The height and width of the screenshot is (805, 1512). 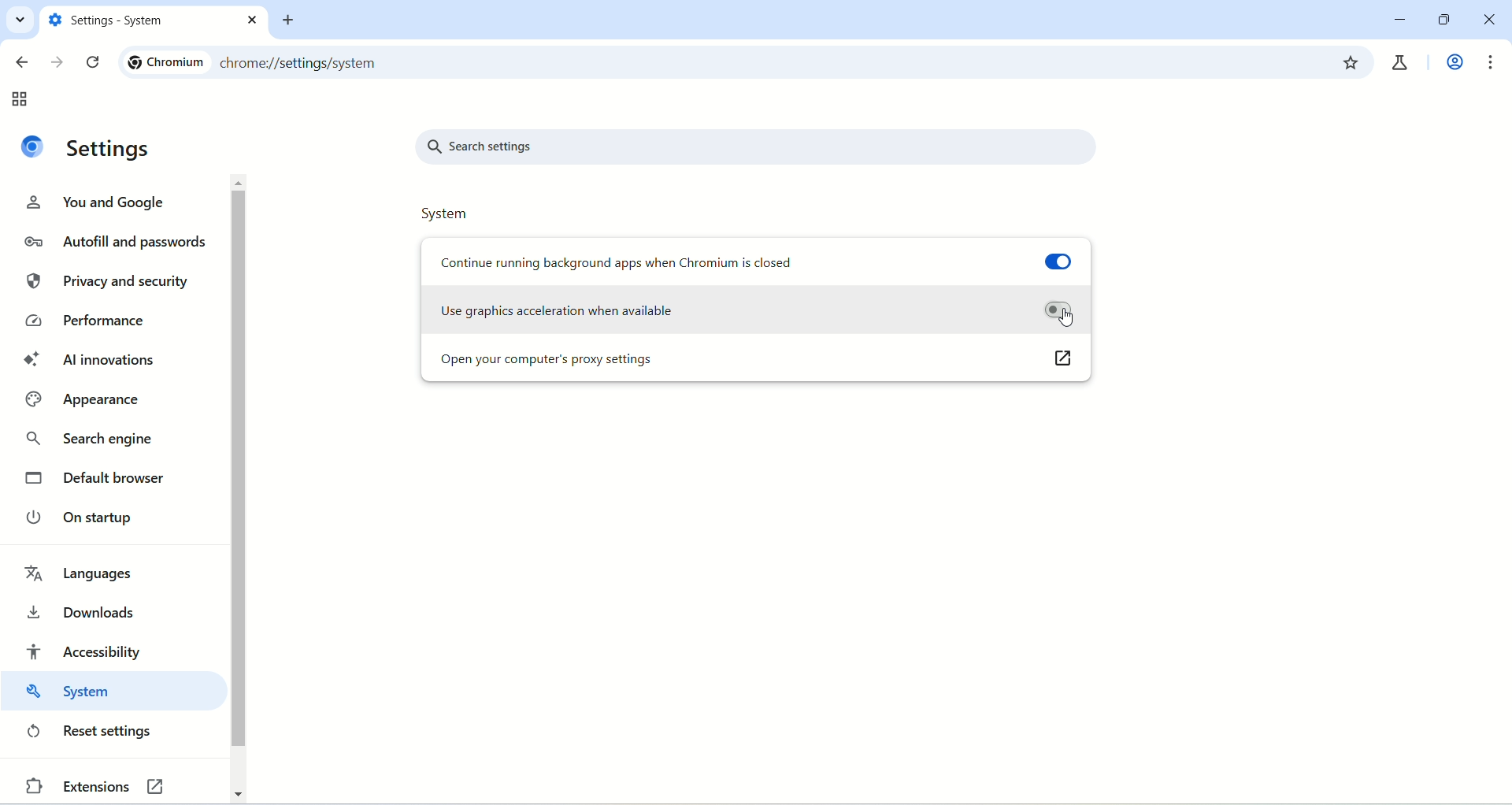 I want to click on new tab, so click(x=292, y=20).